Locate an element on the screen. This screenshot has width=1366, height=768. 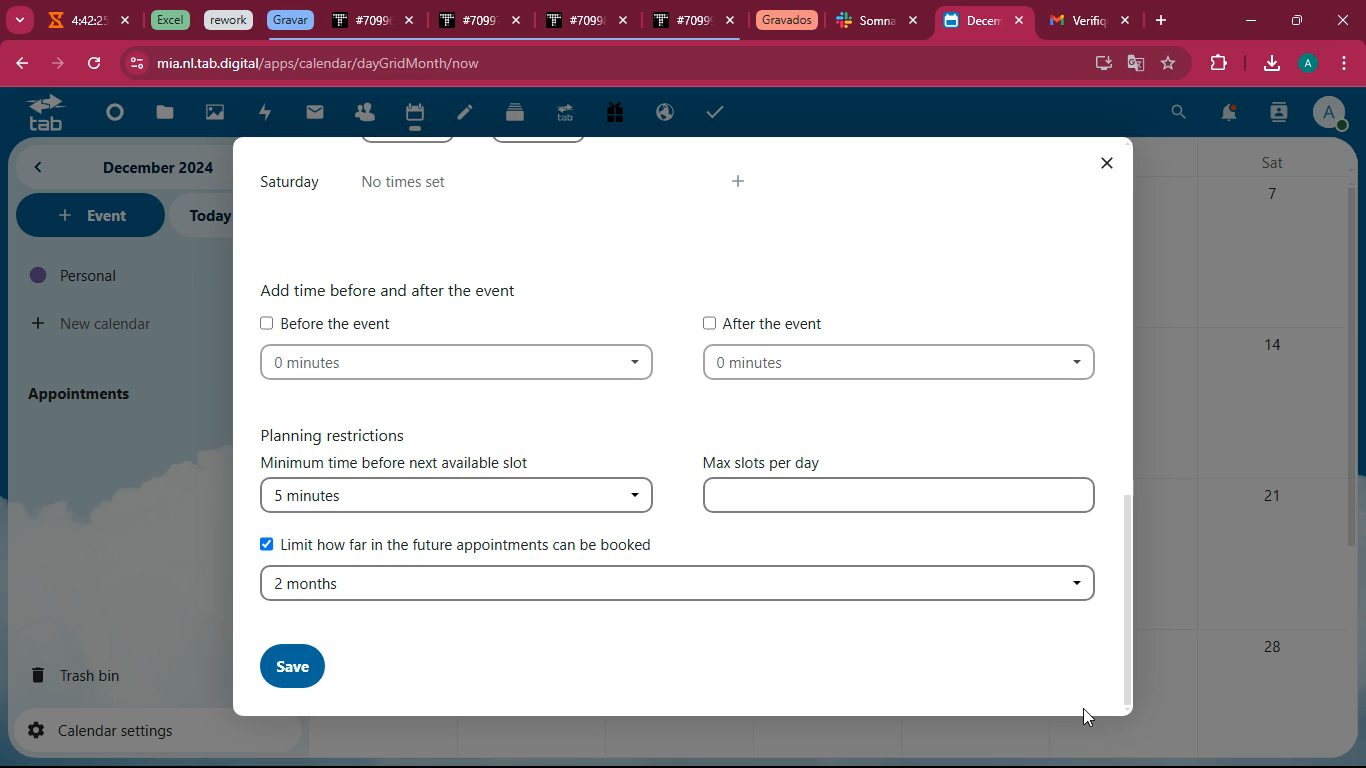
people is located at coordinates (364, 114).